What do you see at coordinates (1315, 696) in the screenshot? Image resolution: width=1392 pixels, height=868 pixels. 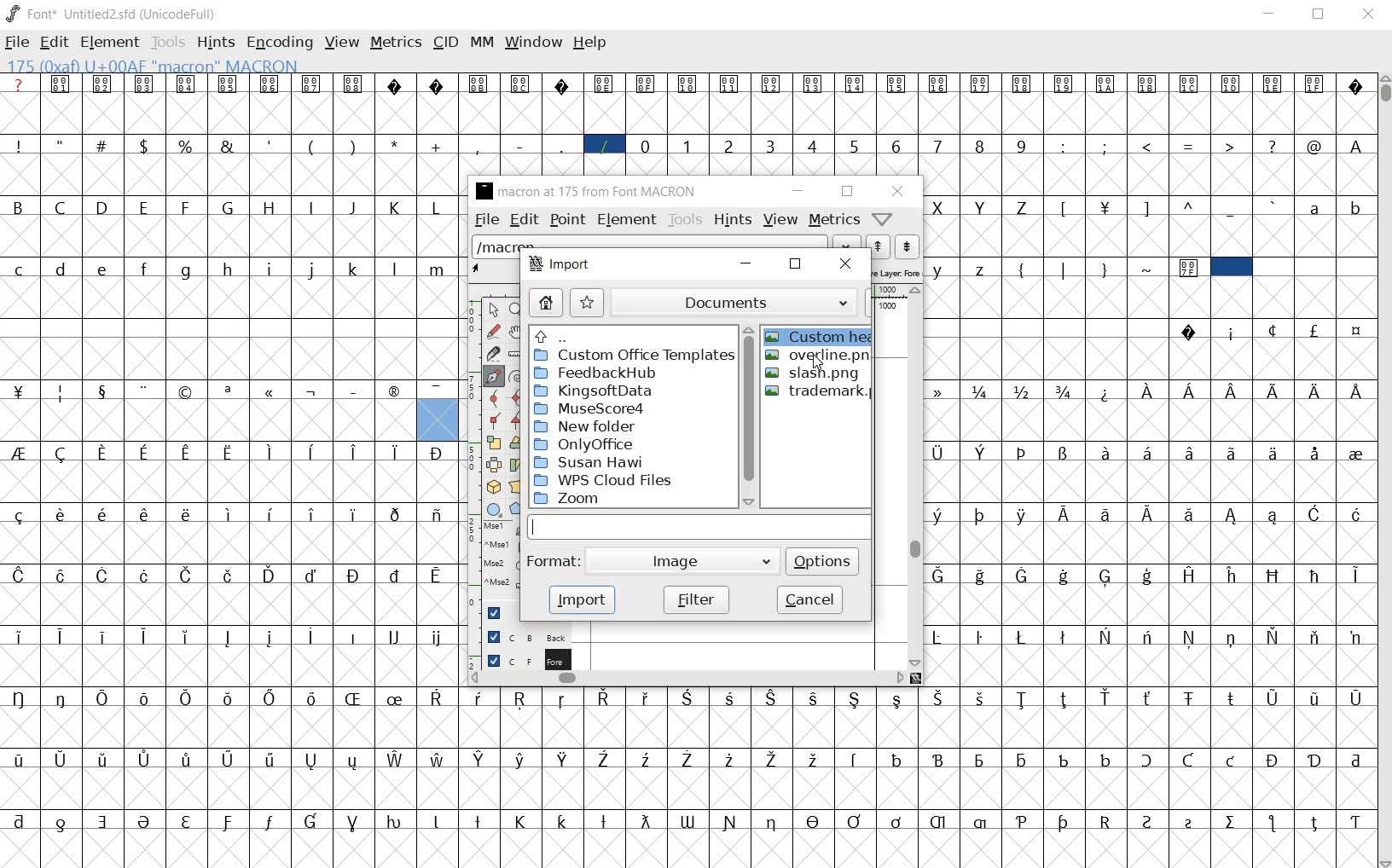 I see `Symbol` at bounding box center [1315, 696].